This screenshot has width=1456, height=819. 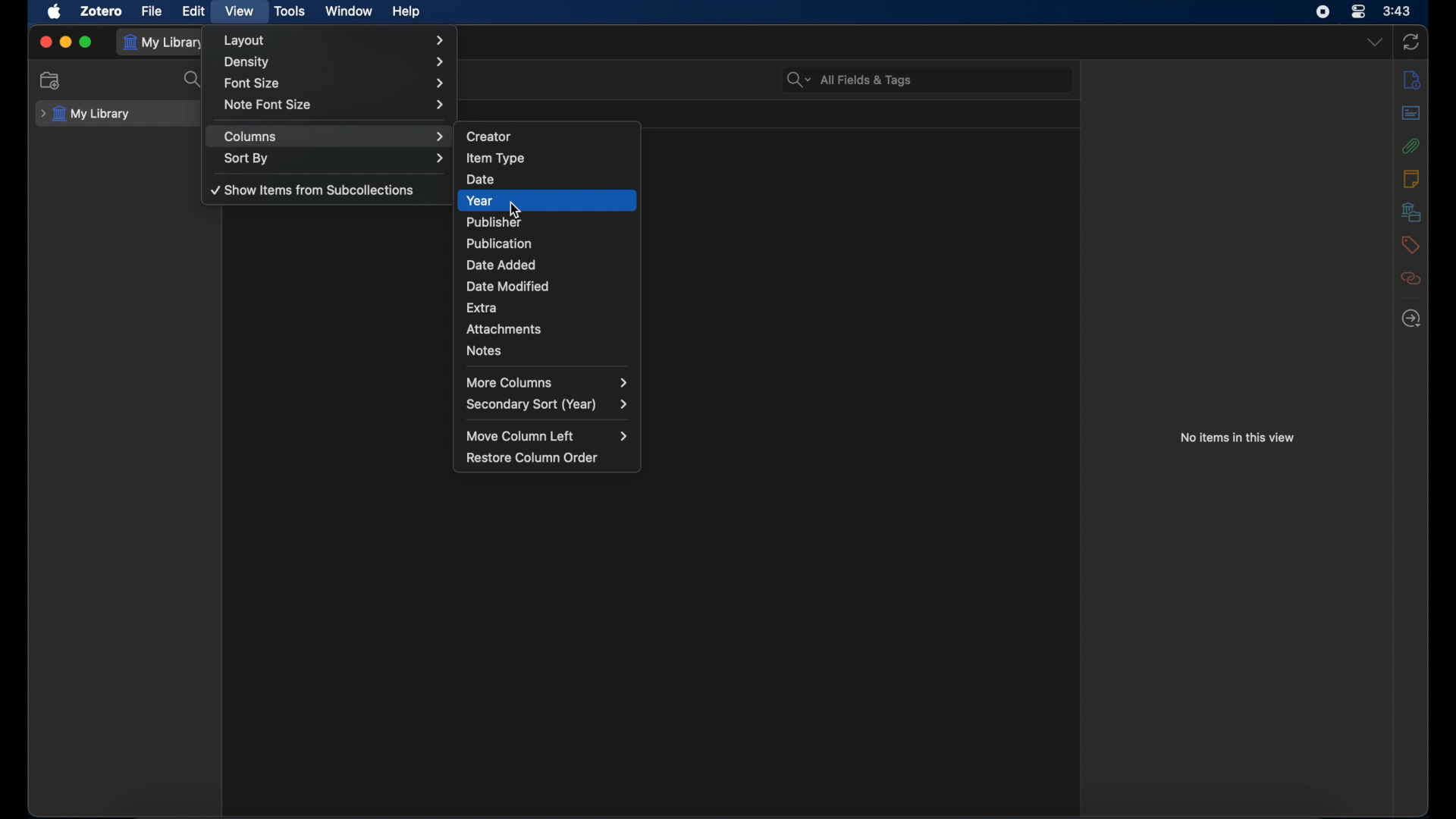 What do you see at coordinates (1411, 113) in the screenshot?
I see `abstract` at bounding box center [1411, 113].